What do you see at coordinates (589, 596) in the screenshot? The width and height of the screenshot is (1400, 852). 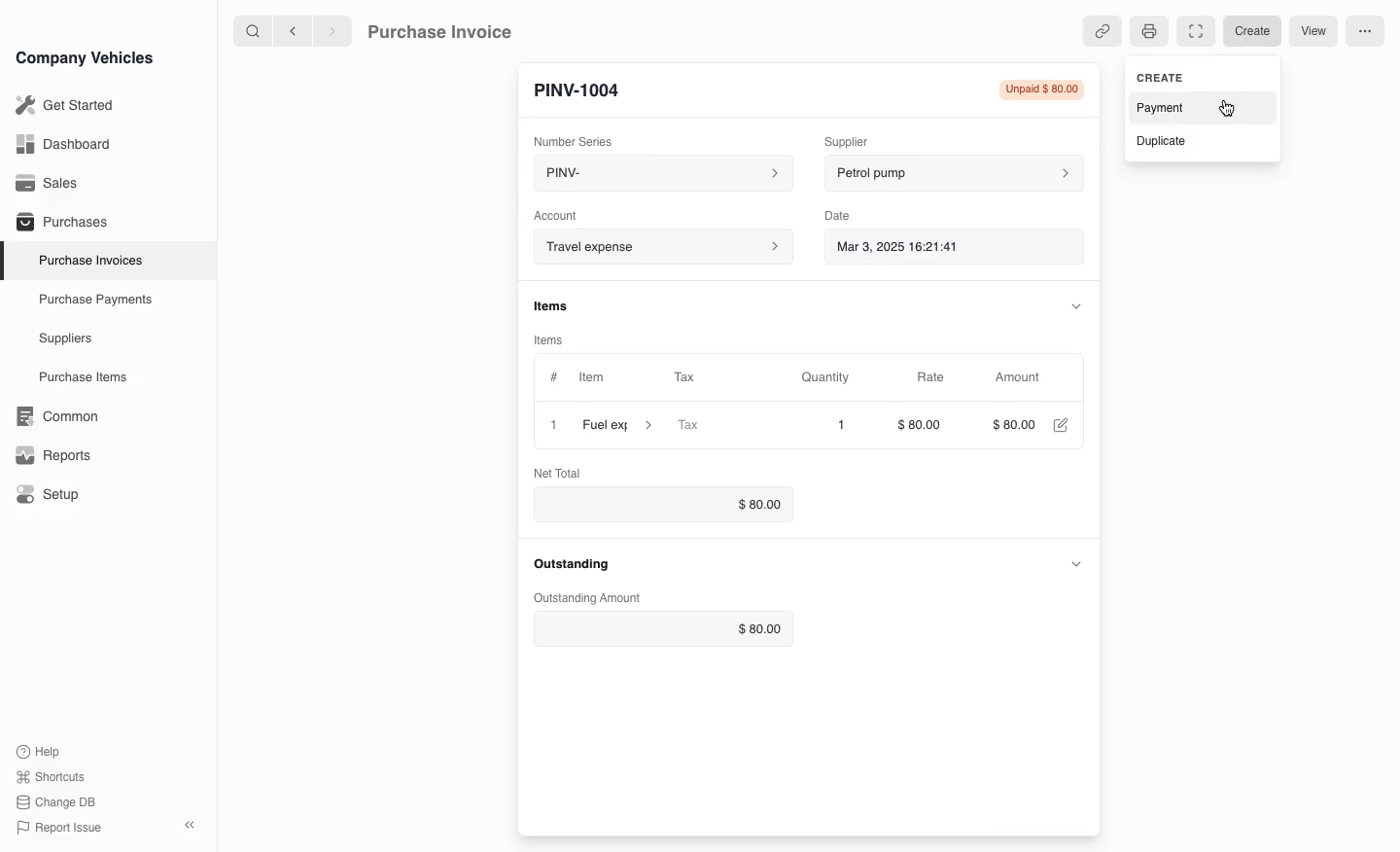 I see `Outstanding Amount` at bounding box center [589, 596].